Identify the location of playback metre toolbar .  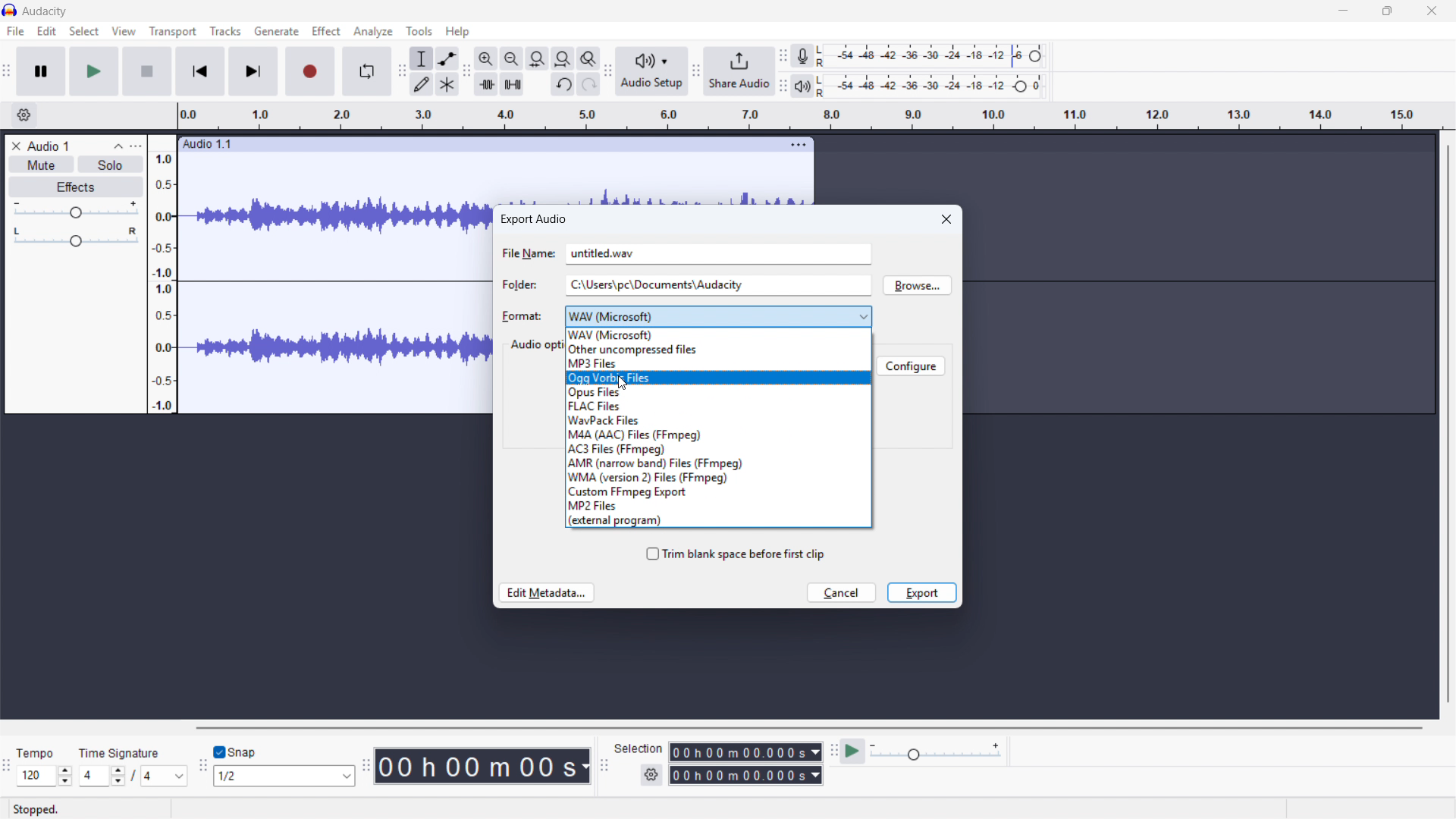
(783, 86).